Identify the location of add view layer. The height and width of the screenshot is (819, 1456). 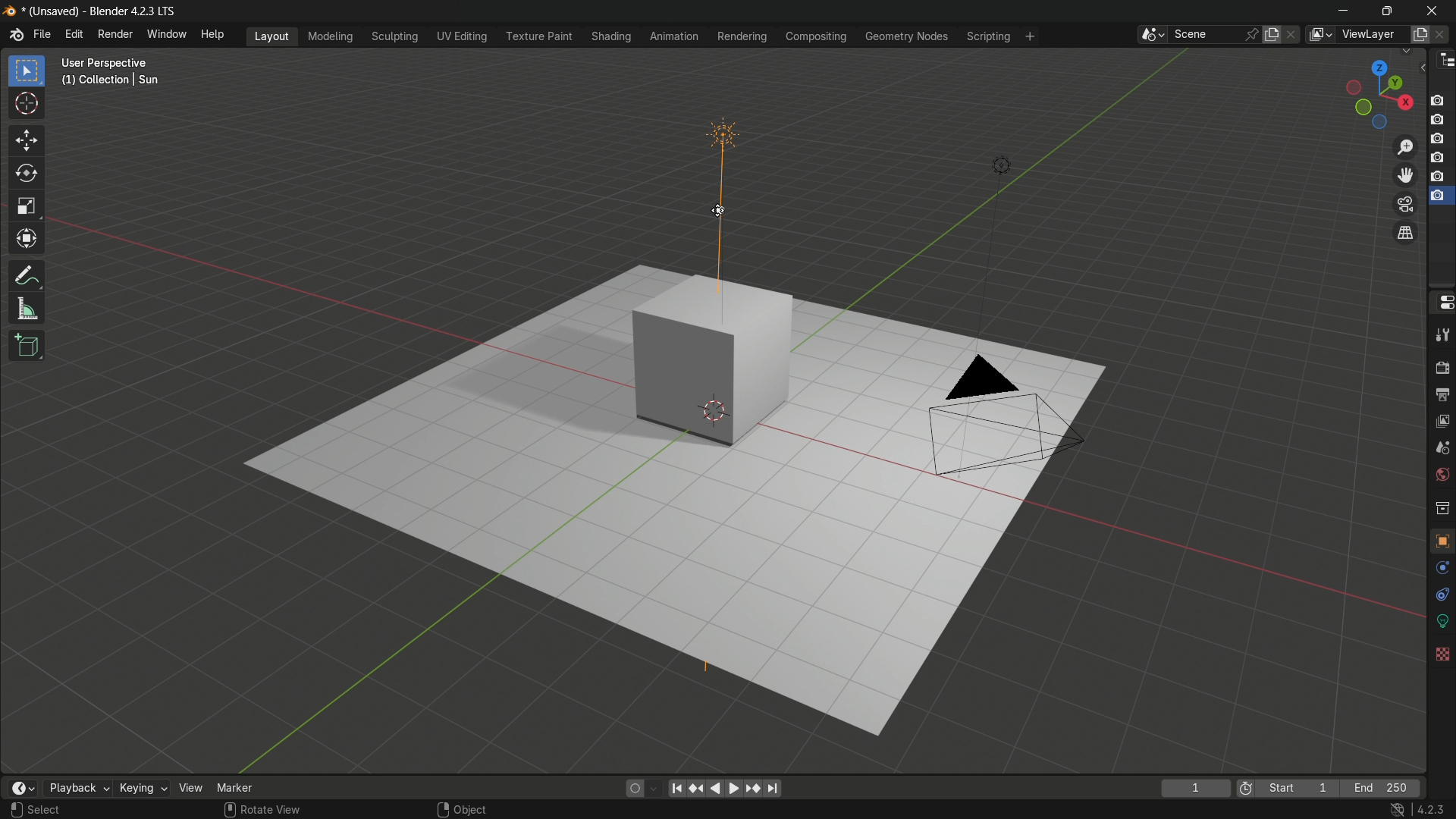
(1420, 33).